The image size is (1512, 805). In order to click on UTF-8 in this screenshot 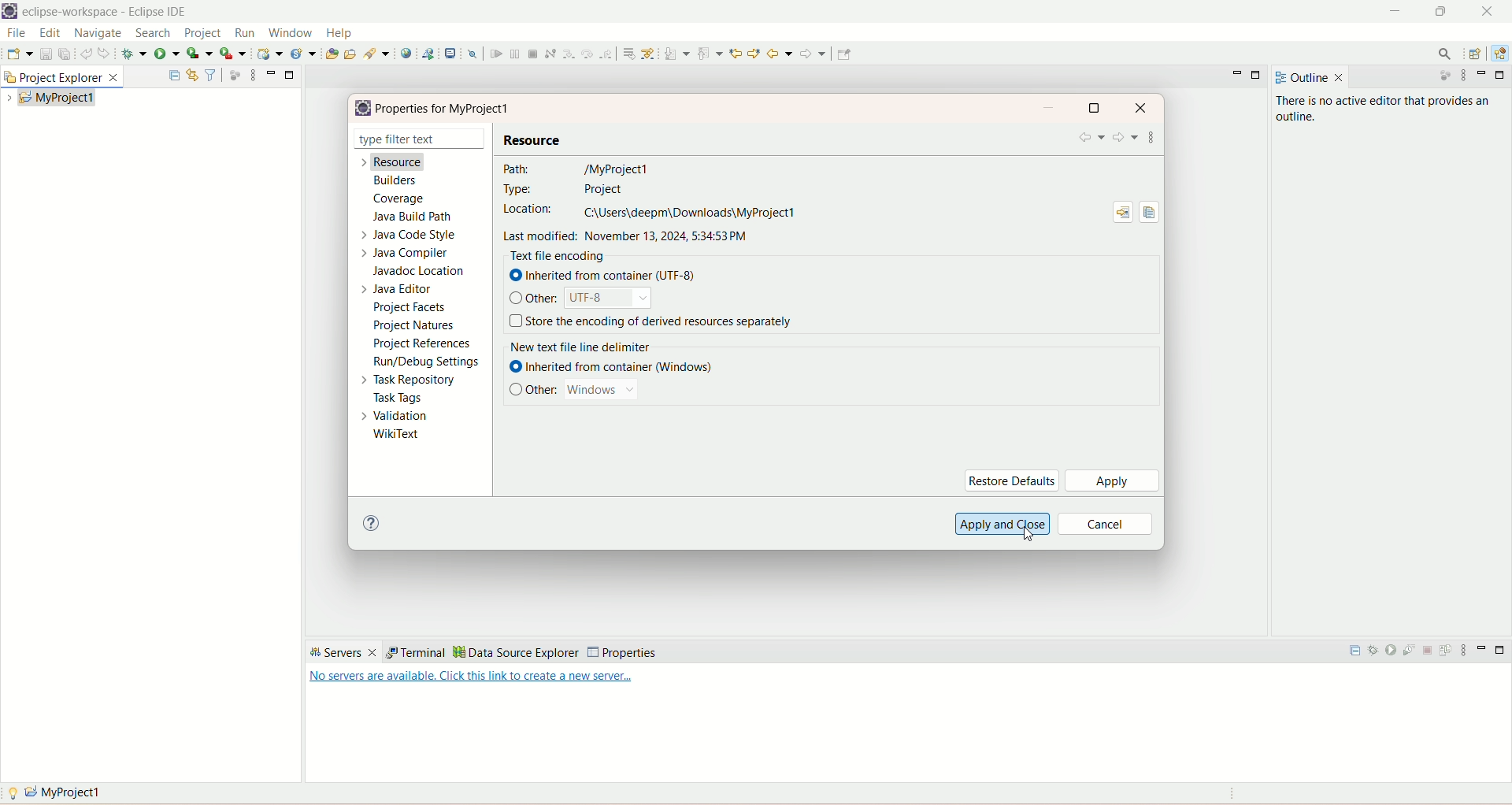, I will do `click(608, 299)`.